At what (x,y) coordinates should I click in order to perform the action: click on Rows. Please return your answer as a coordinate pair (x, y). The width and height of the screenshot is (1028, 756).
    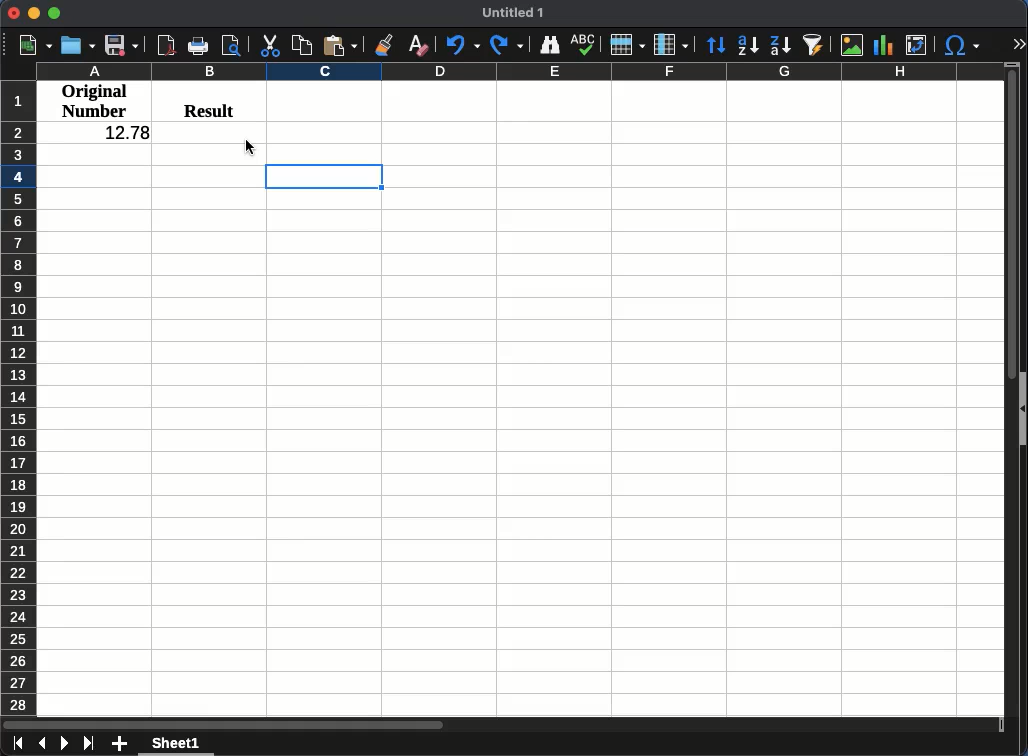
    Looking at the image, I should click on (627, 44).